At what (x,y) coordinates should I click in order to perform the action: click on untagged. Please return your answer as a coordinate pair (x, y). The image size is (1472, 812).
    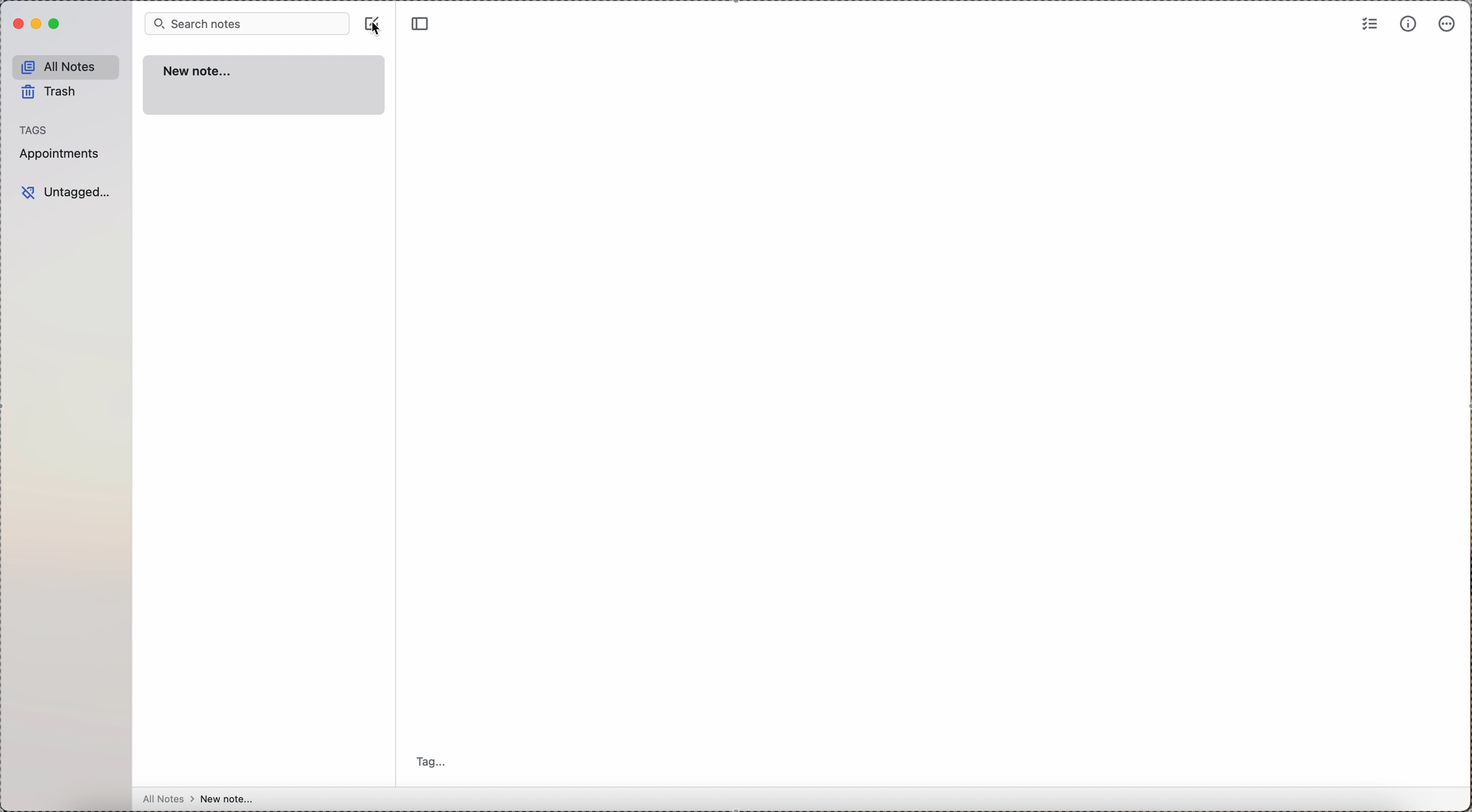
    Looking at the image, I should click on (68, 191).